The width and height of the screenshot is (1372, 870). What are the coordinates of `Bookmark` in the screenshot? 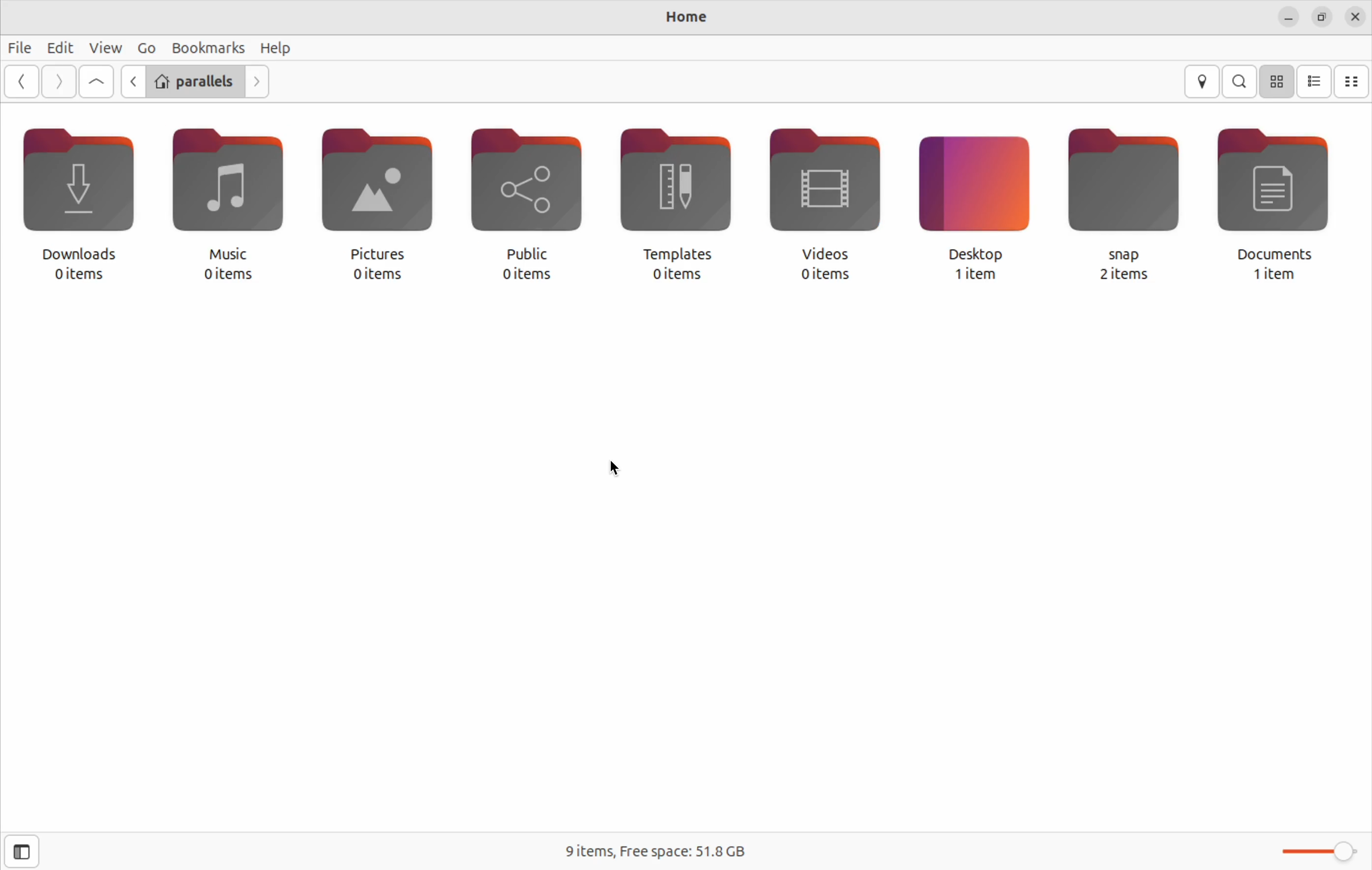 It's located at (206, 47).